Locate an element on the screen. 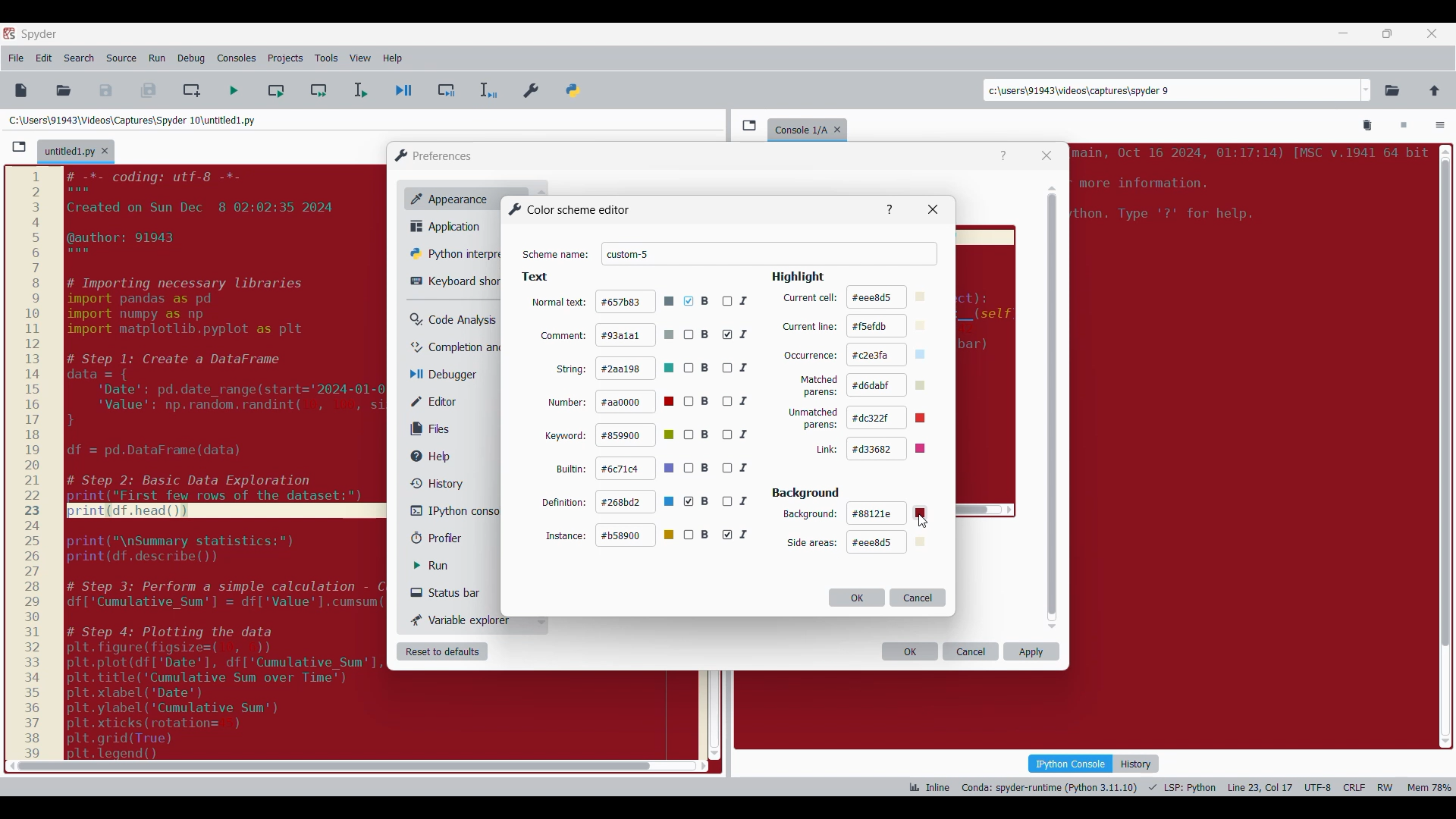  #657b83 is located at coordinates (635, 301).